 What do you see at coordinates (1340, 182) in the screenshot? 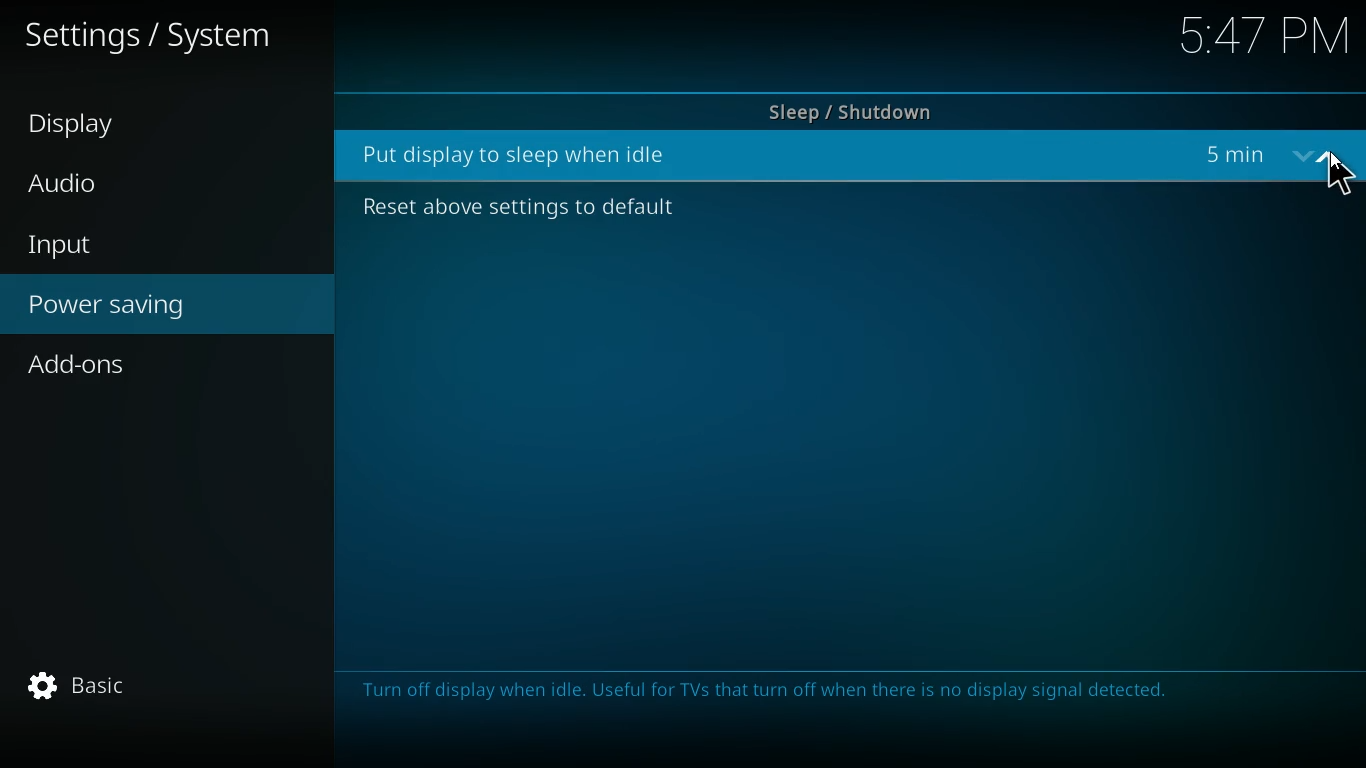
I see `Cursor` at bounding box center [1340, 182].